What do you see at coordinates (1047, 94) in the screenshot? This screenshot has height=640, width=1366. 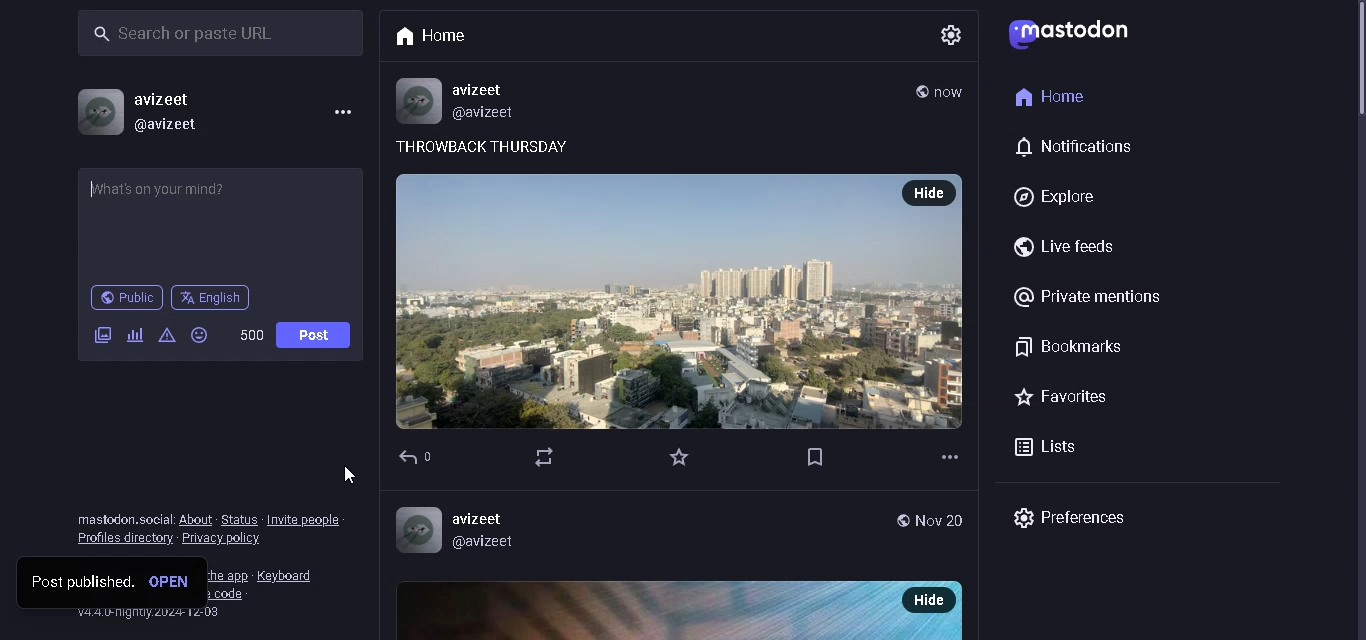 I see `home` at bounding box center [1047, 94].